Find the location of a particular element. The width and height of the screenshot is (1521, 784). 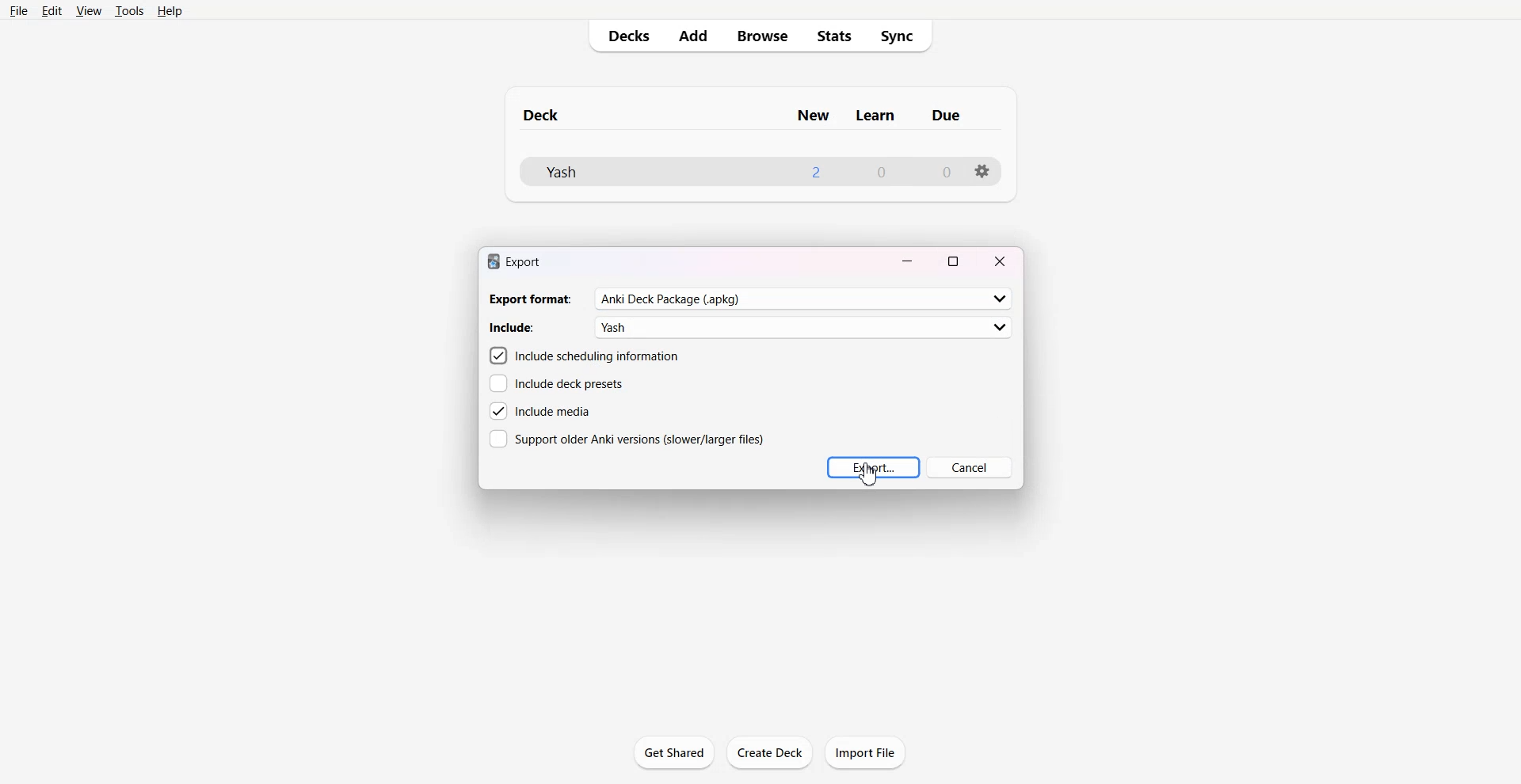

Decks is located at coordinates (626, 36).